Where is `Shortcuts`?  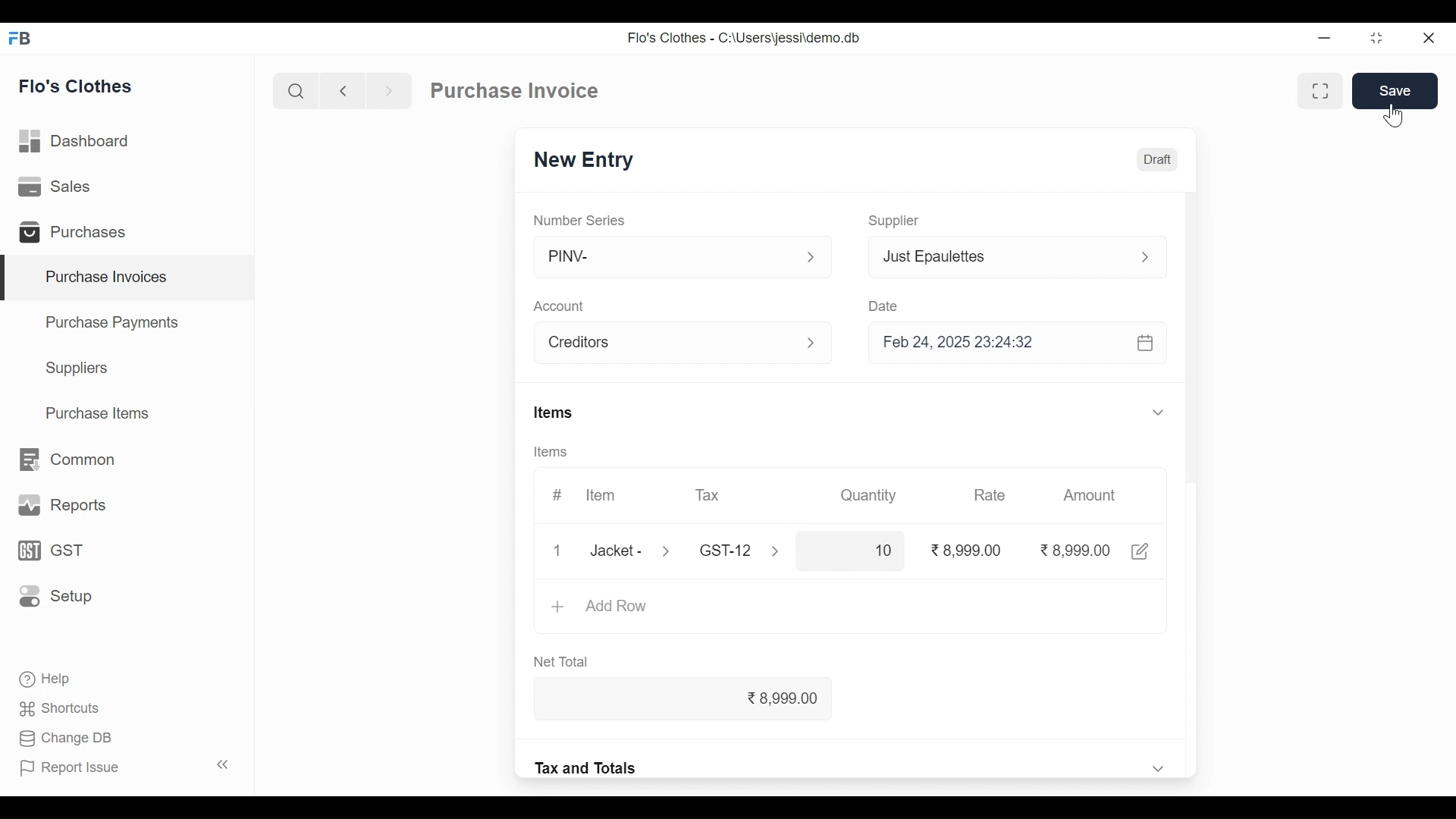
Shortcuts is located at coordinates (60, 710).